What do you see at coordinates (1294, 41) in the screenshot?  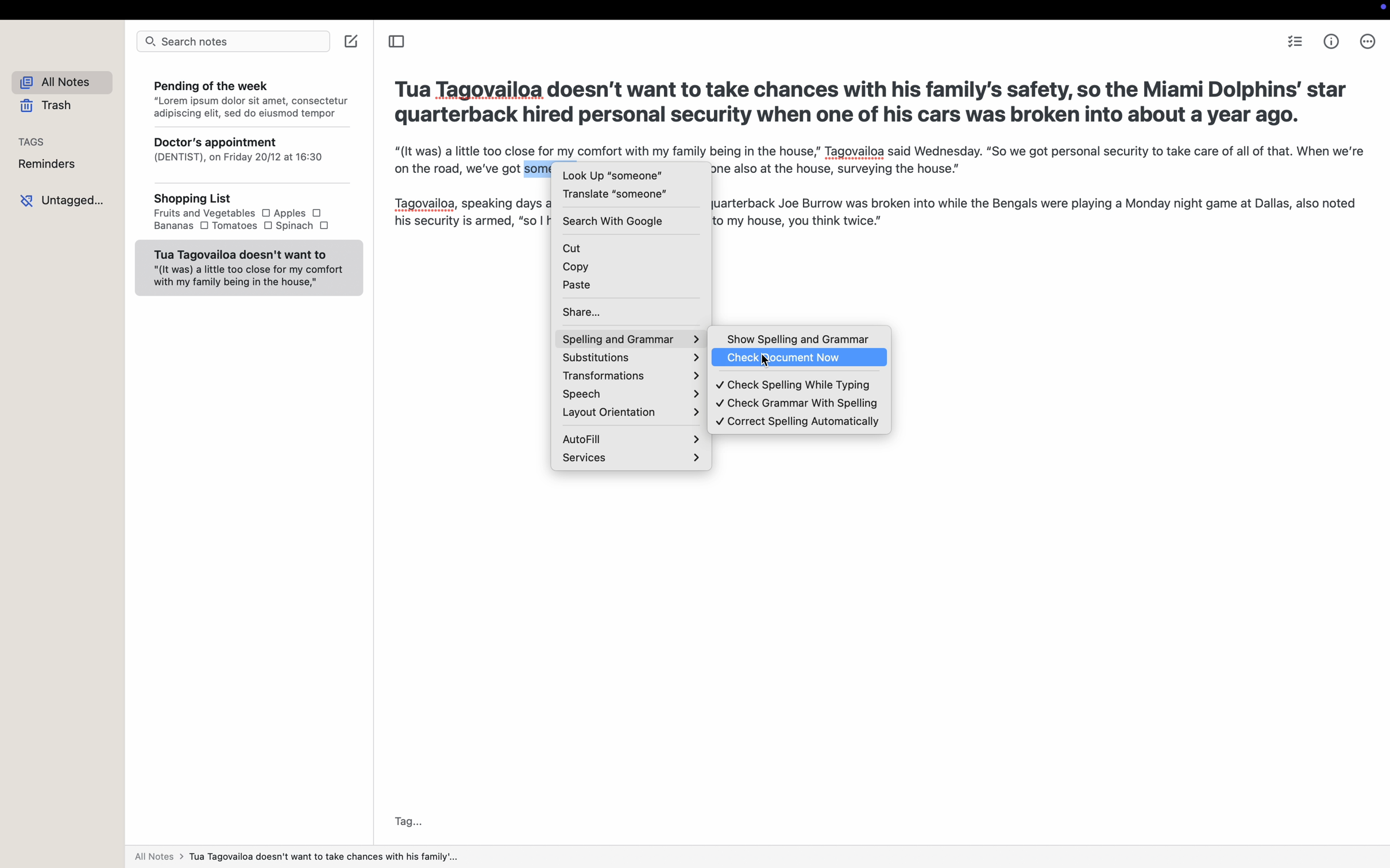 I see `check list` at bounding box center [1294, 41].